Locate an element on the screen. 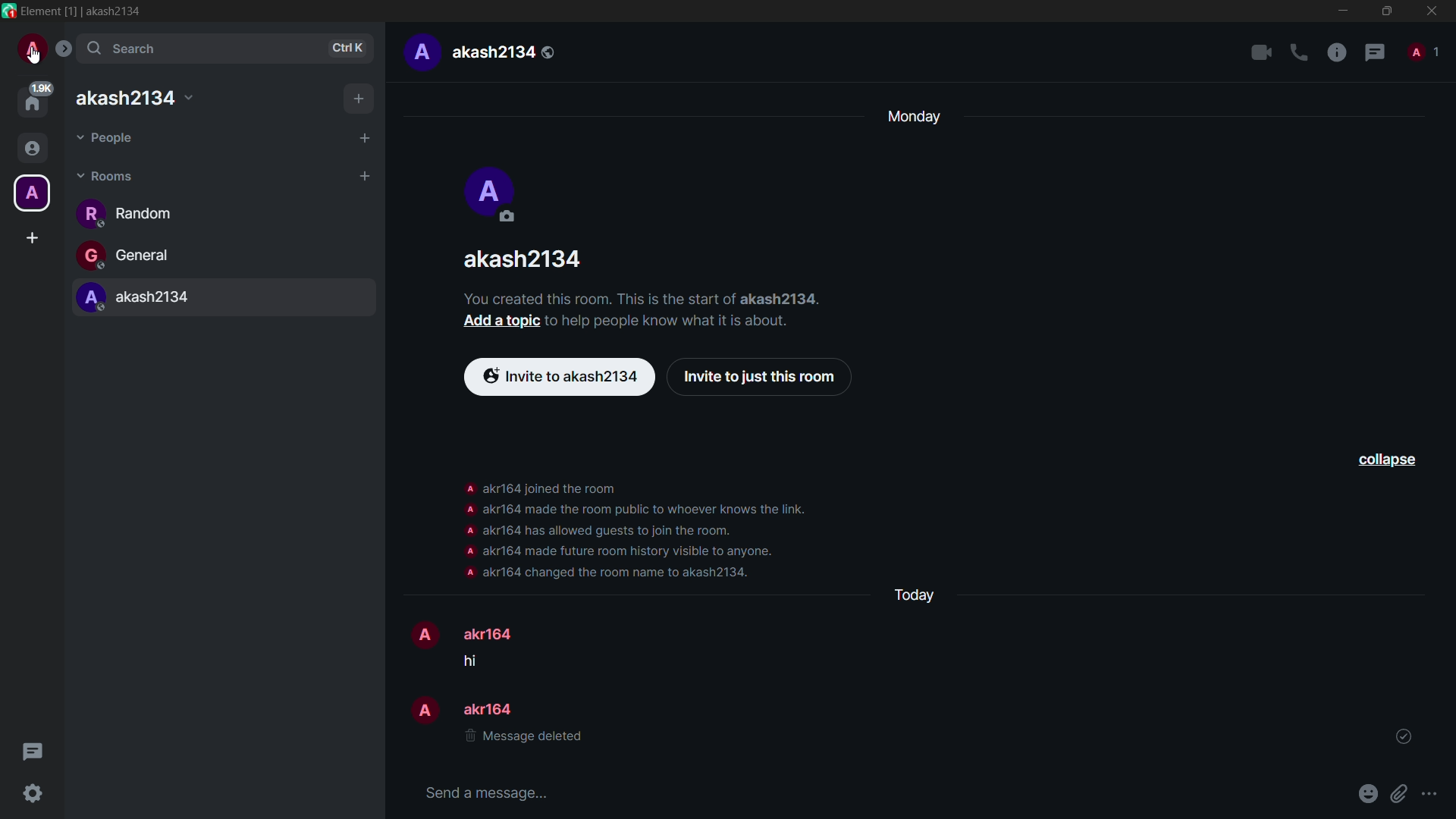 This screenshot has height=819, width=1456. akash2134 is located at coordinates (526, 259).